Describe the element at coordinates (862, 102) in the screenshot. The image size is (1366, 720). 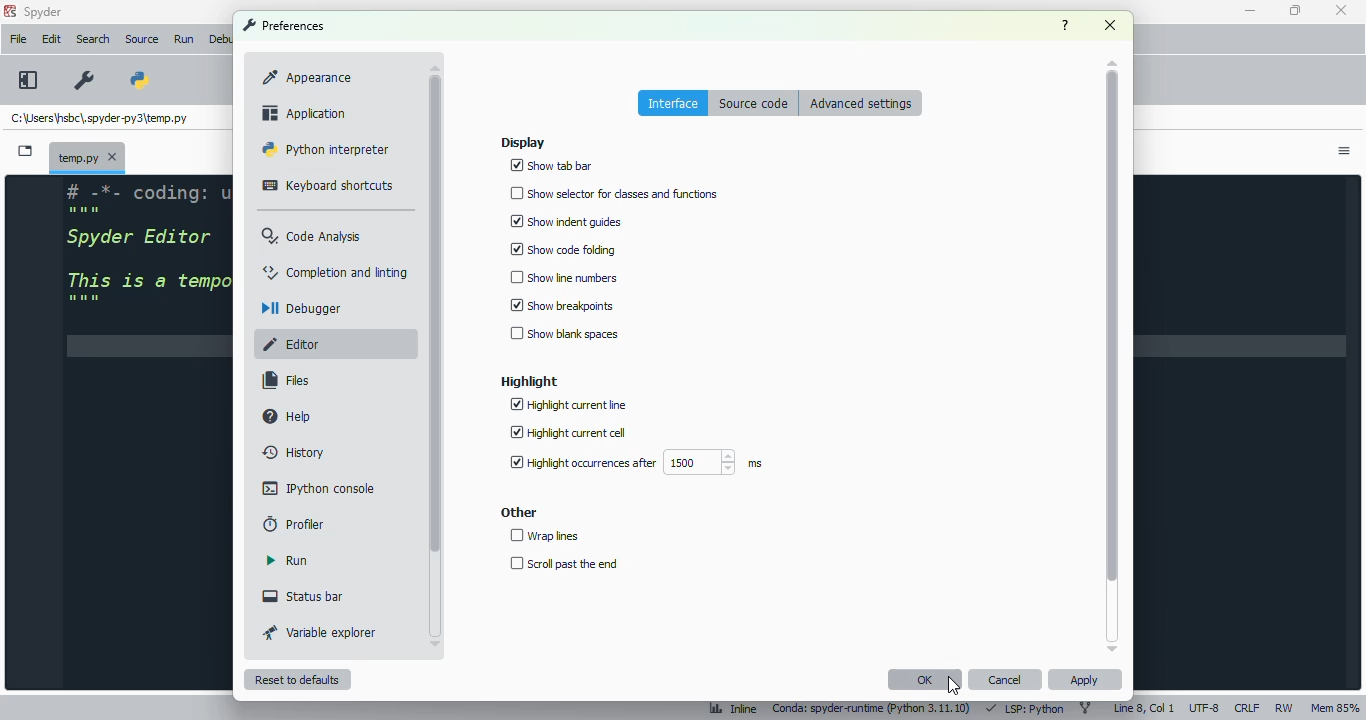
I see `advanced settings` at that location.